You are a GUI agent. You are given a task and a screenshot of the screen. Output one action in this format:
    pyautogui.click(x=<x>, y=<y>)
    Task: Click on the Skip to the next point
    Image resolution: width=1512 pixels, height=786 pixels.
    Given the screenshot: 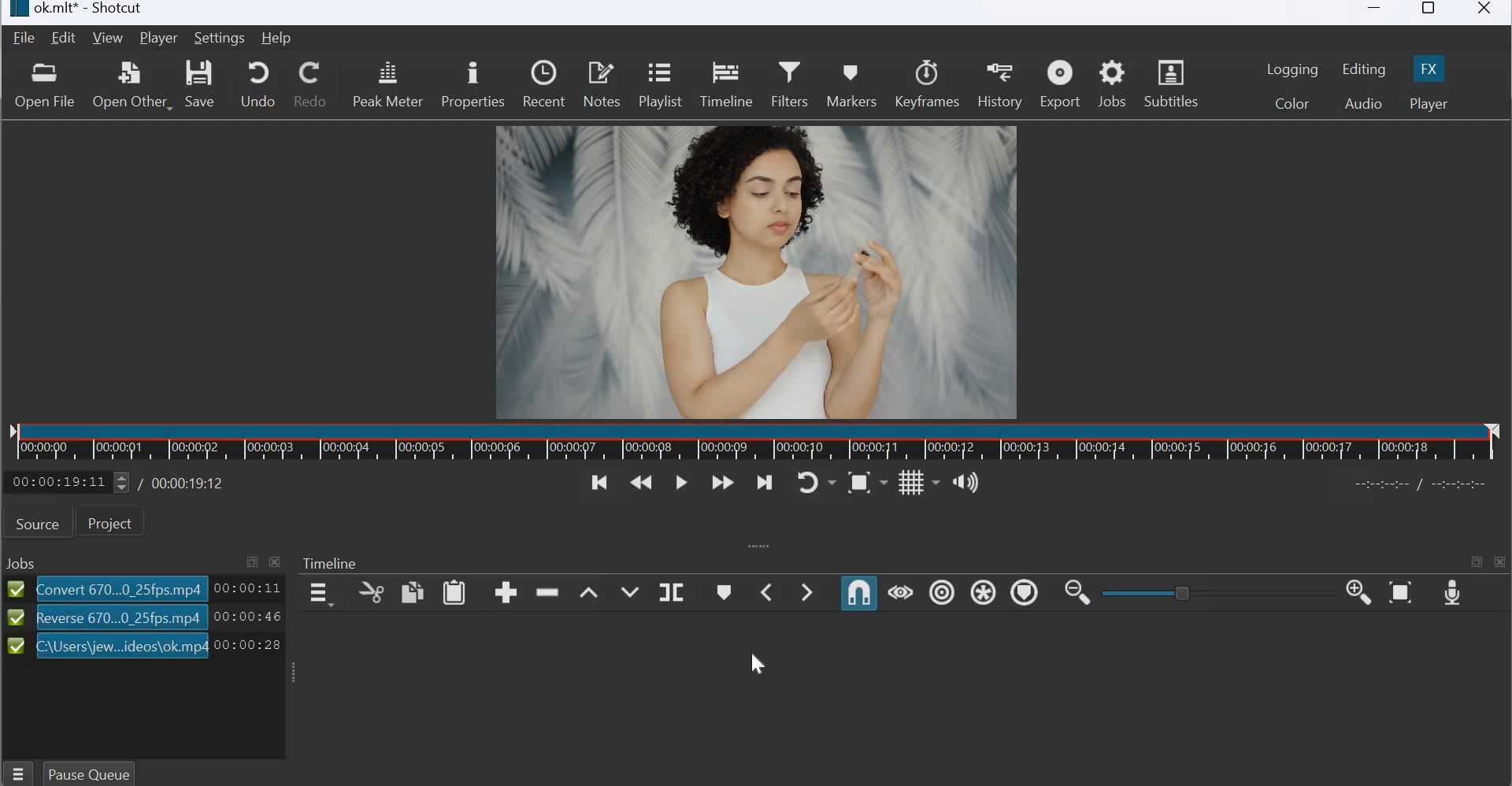 What is the action you would take?
    pyautogui.click(x=765, y=482)
    